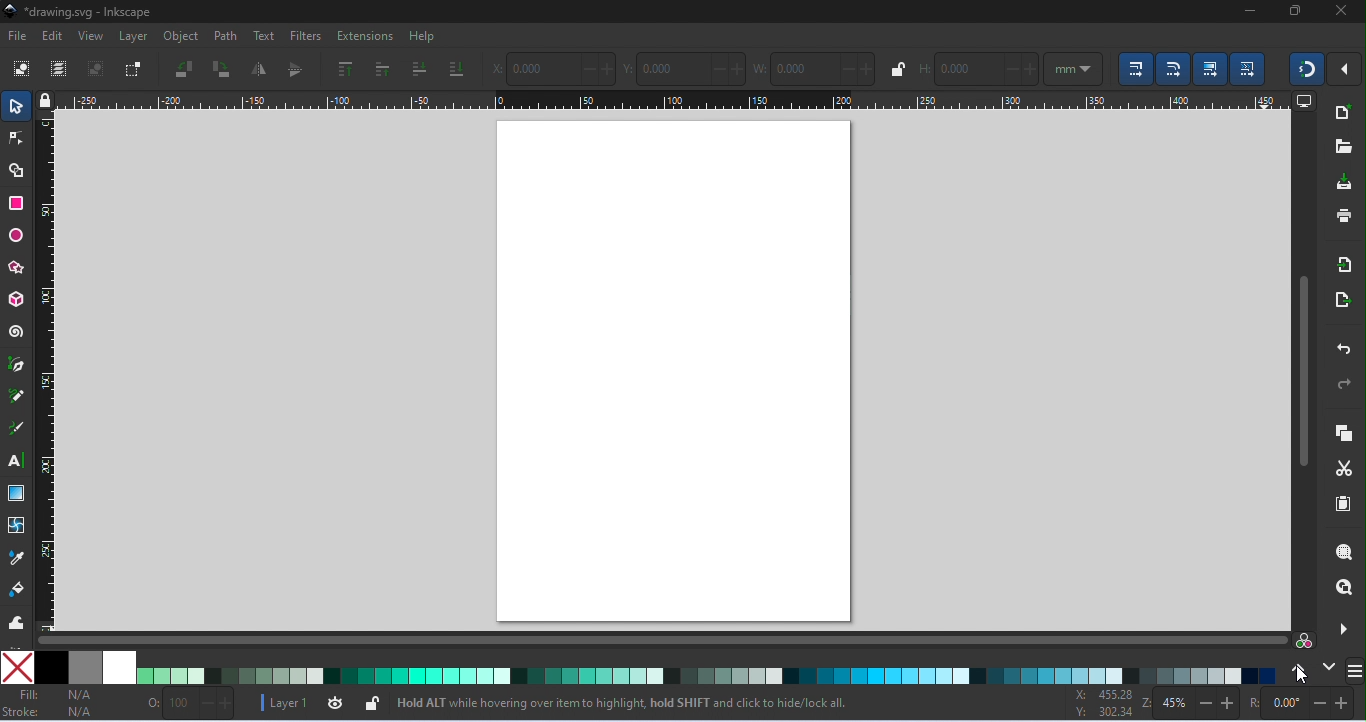 The width and height of the screenshot is (1366, 722). What do you see at coordinates (1212, 69) in the screenshot?
I see `move gradients` at bounding box center [1212, 69].